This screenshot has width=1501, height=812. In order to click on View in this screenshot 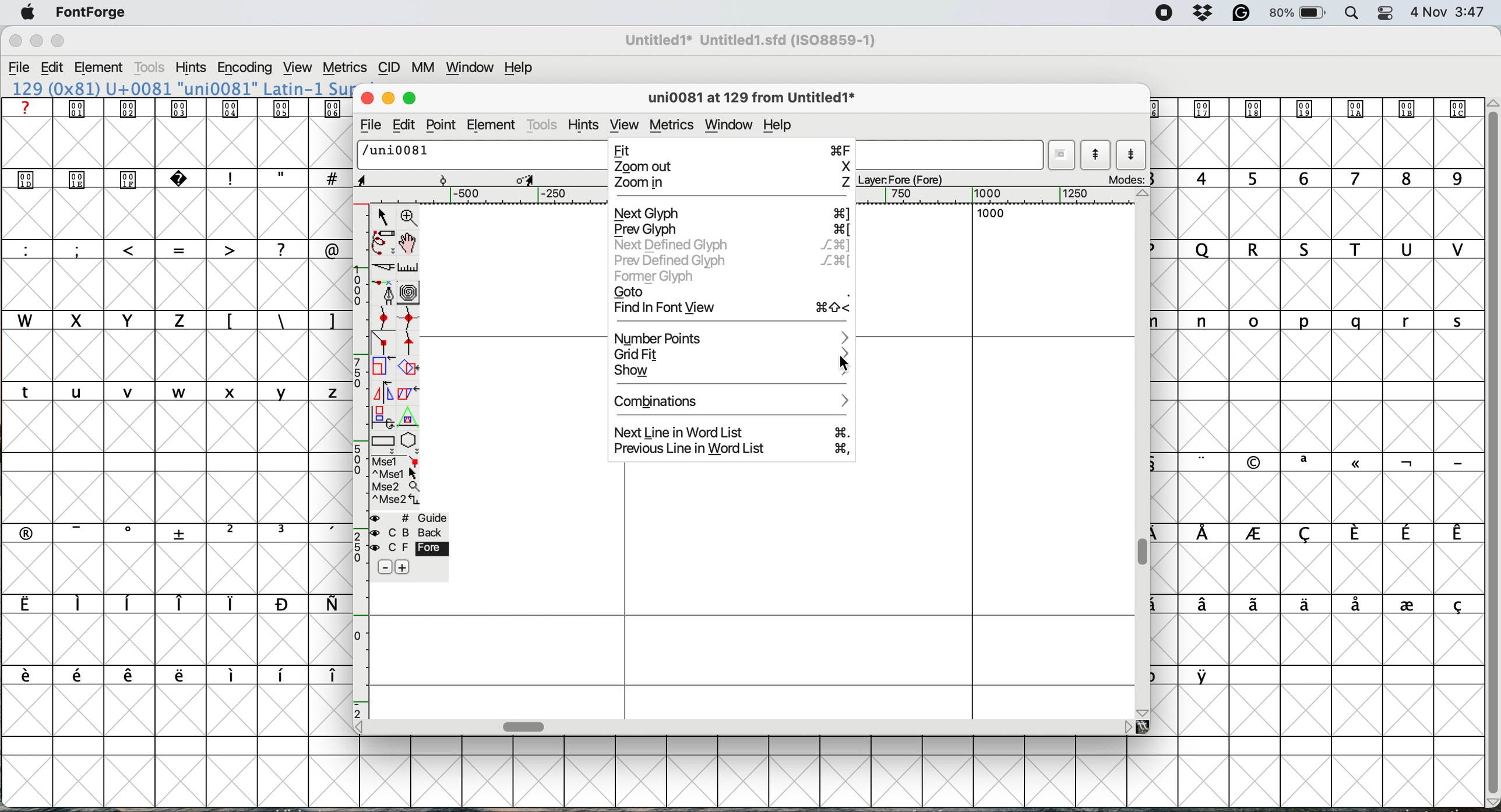, I will do `click(297, 68)`.